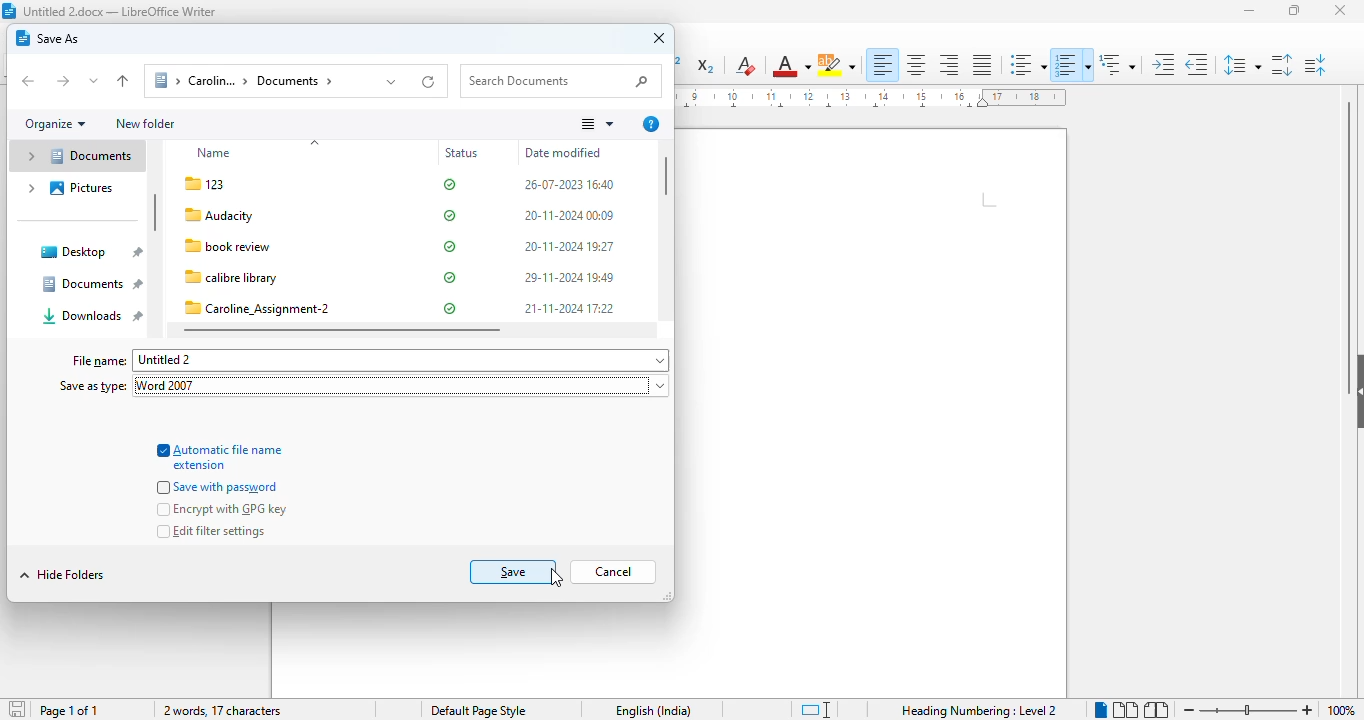  I want to click on documents, so click(75, 156).